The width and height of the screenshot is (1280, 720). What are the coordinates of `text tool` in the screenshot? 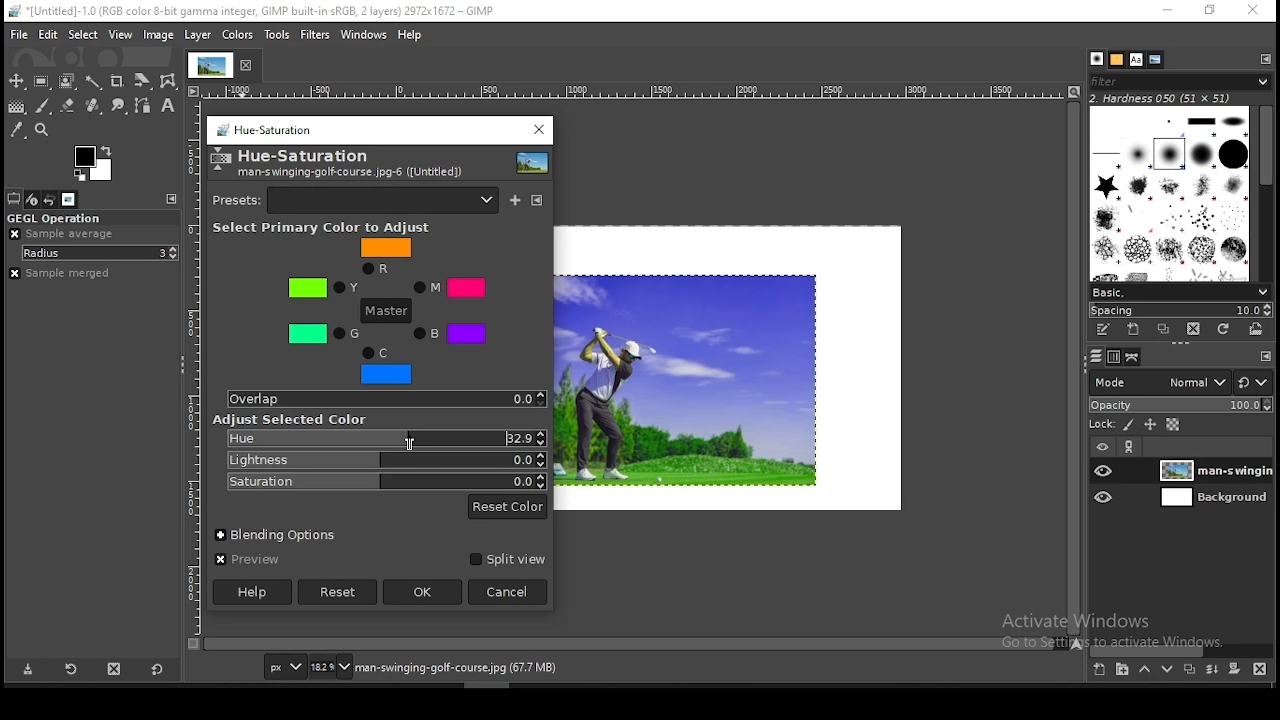 It's located at (167, 108).